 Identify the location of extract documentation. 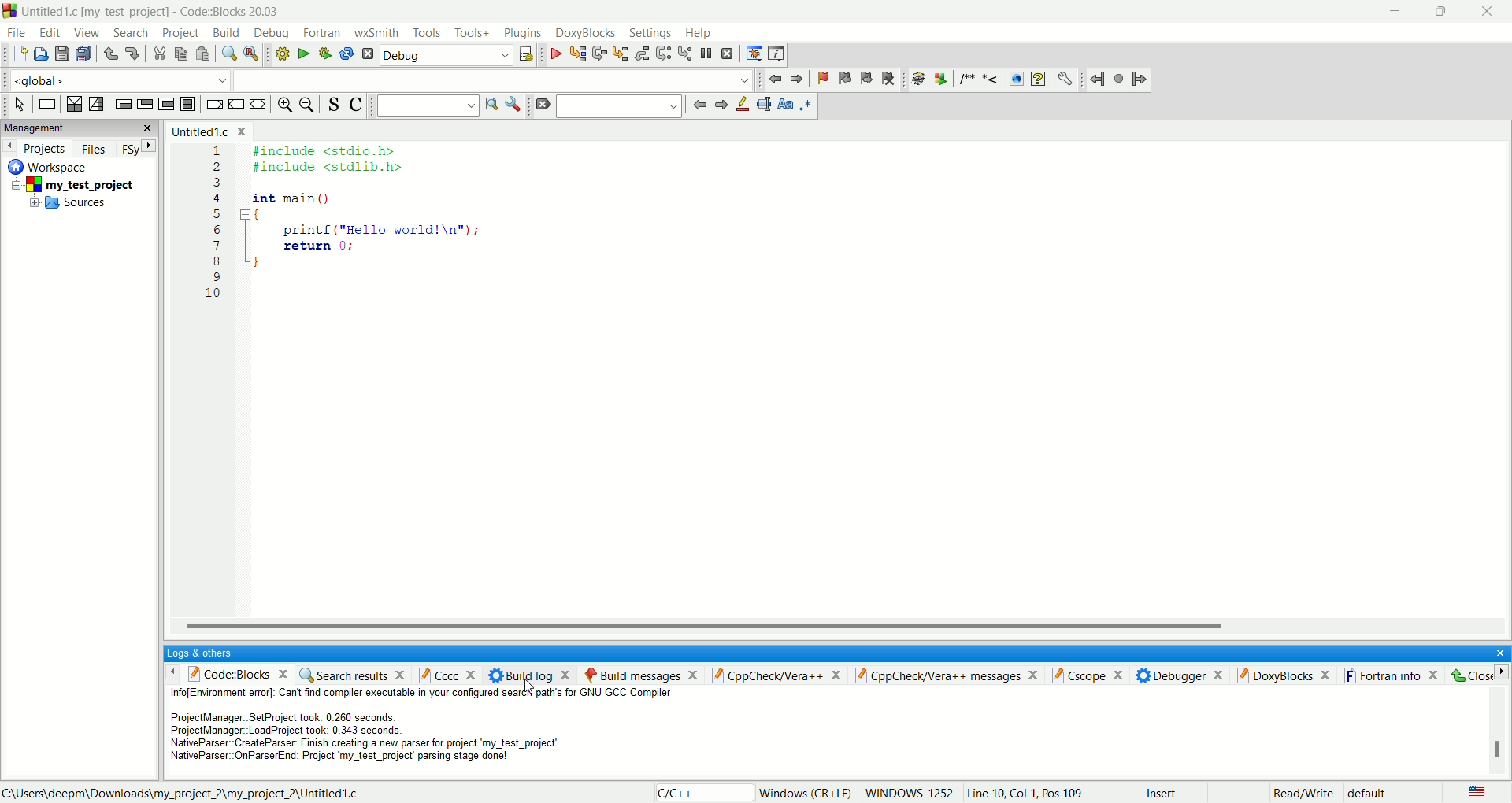
(941, 80).